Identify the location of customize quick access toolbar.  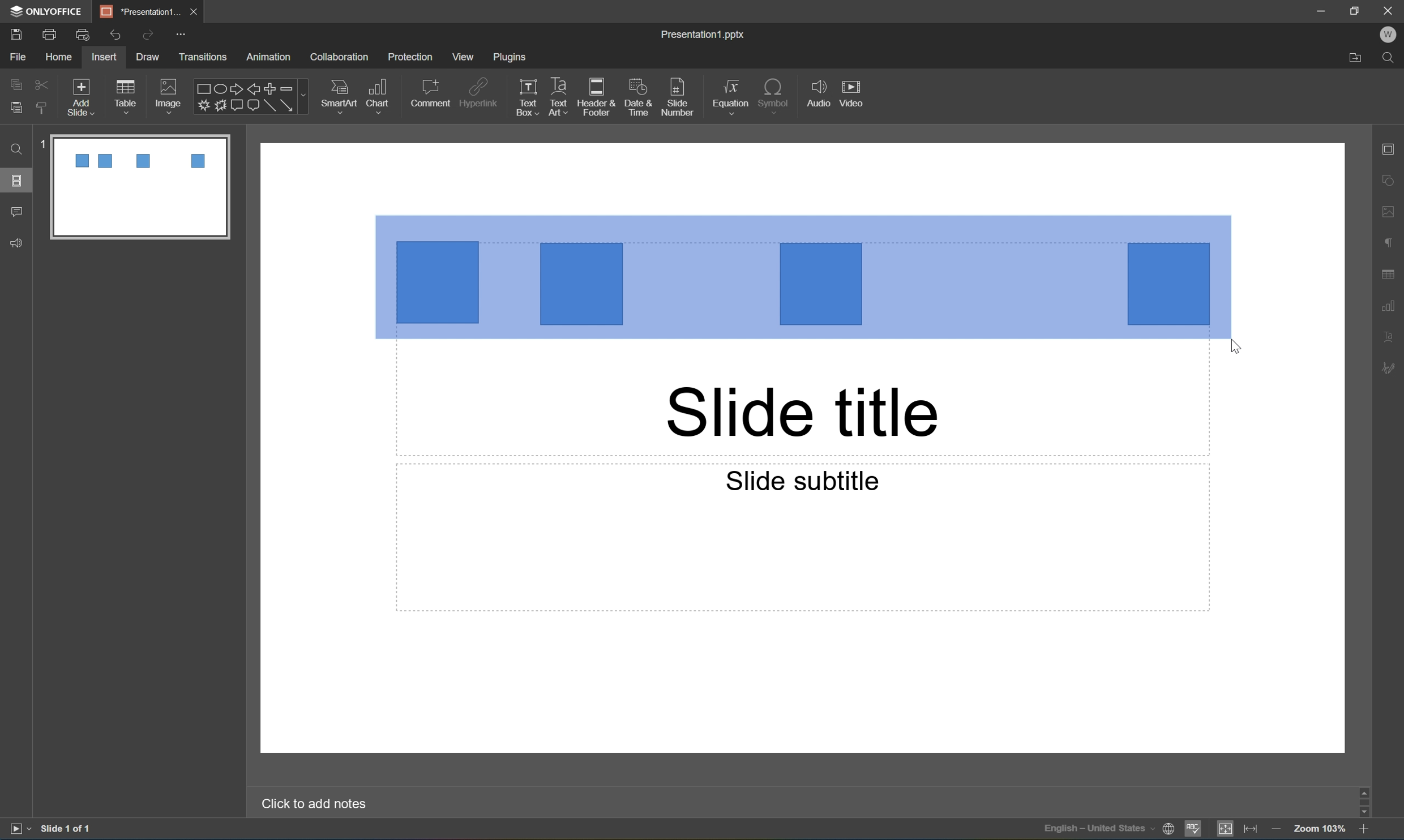
(181, 33).